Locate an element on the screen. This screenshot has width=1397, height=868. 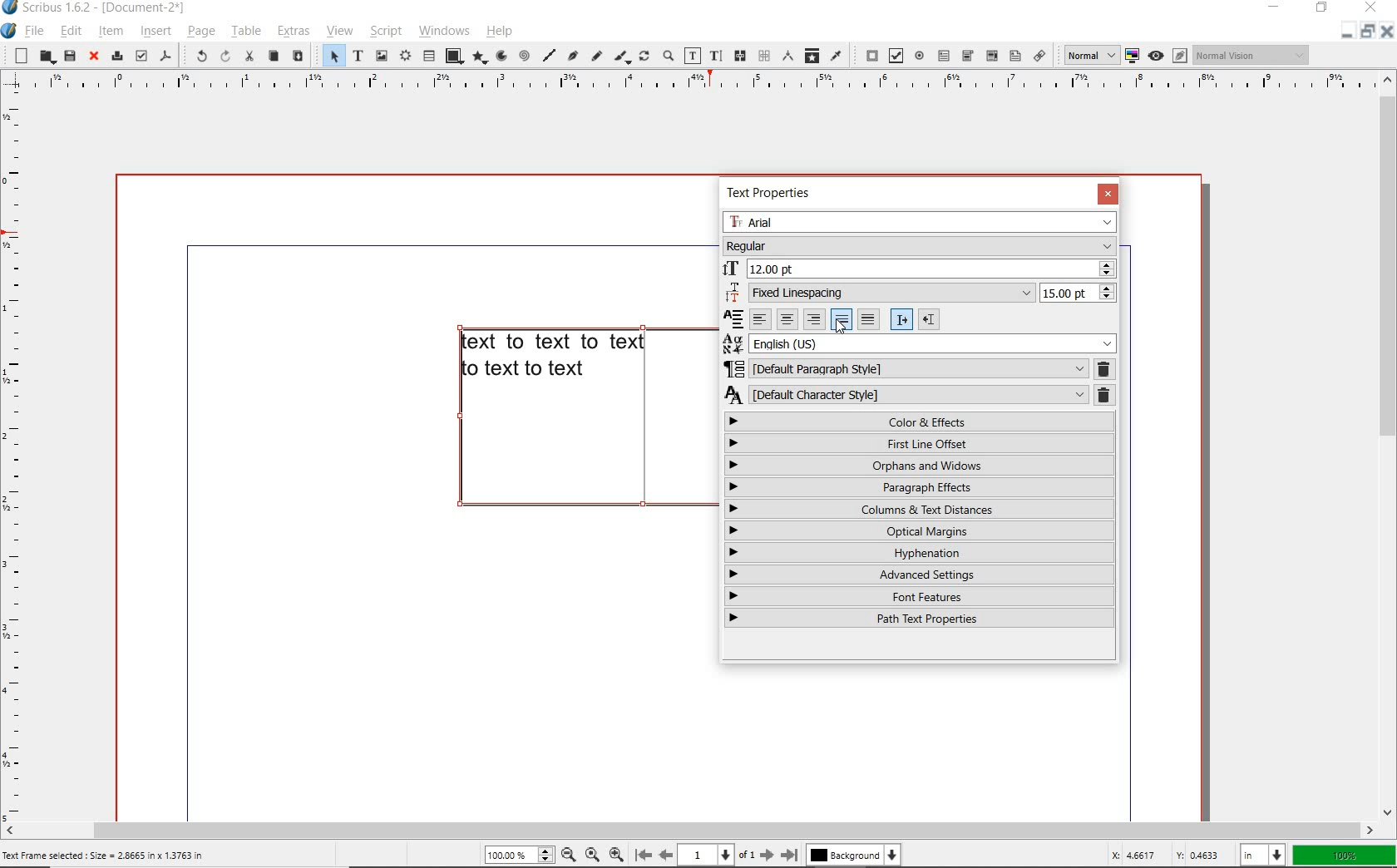
freehand line is located at coordinates (595, 55).